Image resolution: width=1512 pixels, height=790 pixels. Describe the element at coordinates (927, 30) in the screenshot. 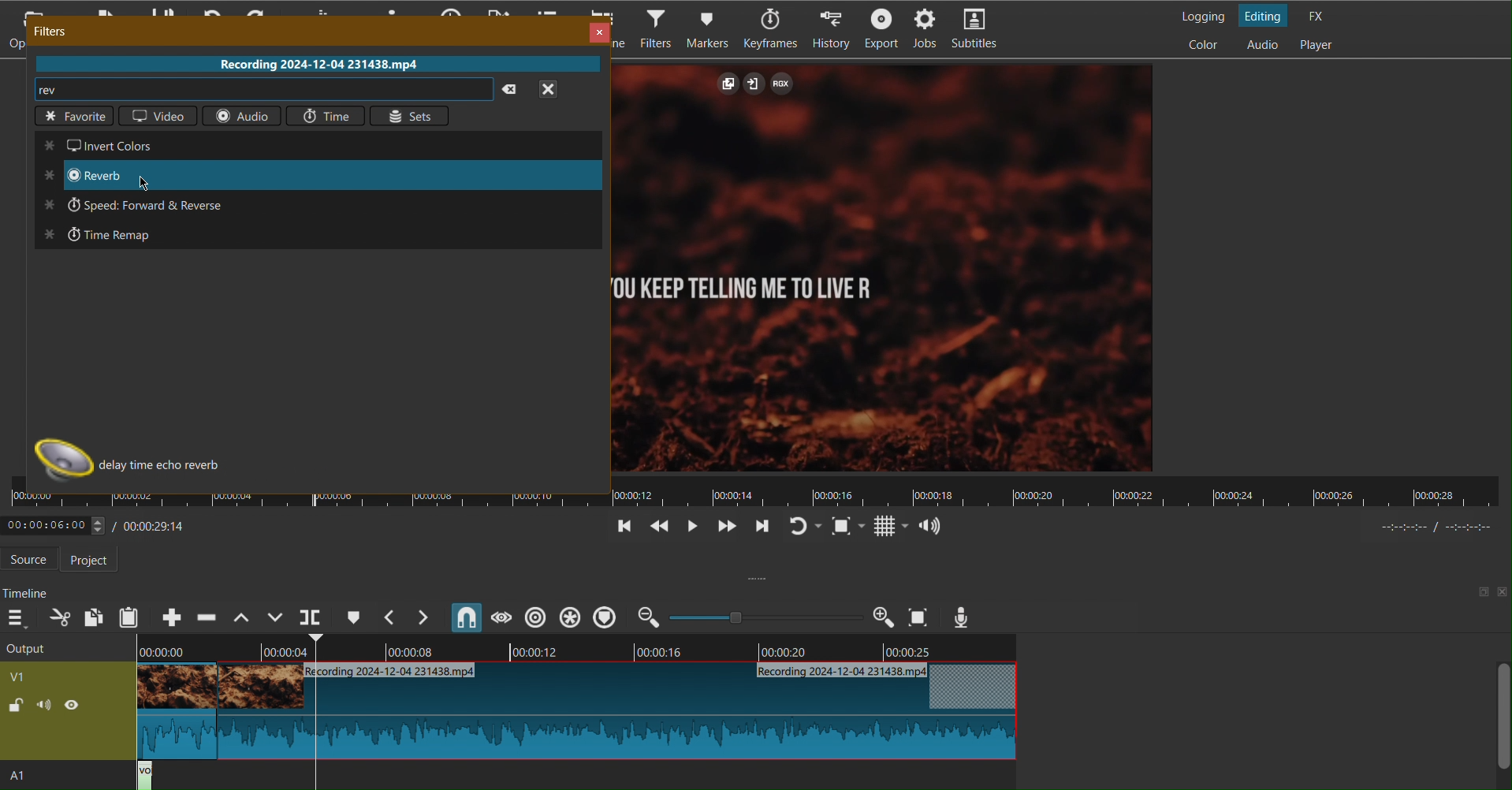

I see `Jobs` at that location.